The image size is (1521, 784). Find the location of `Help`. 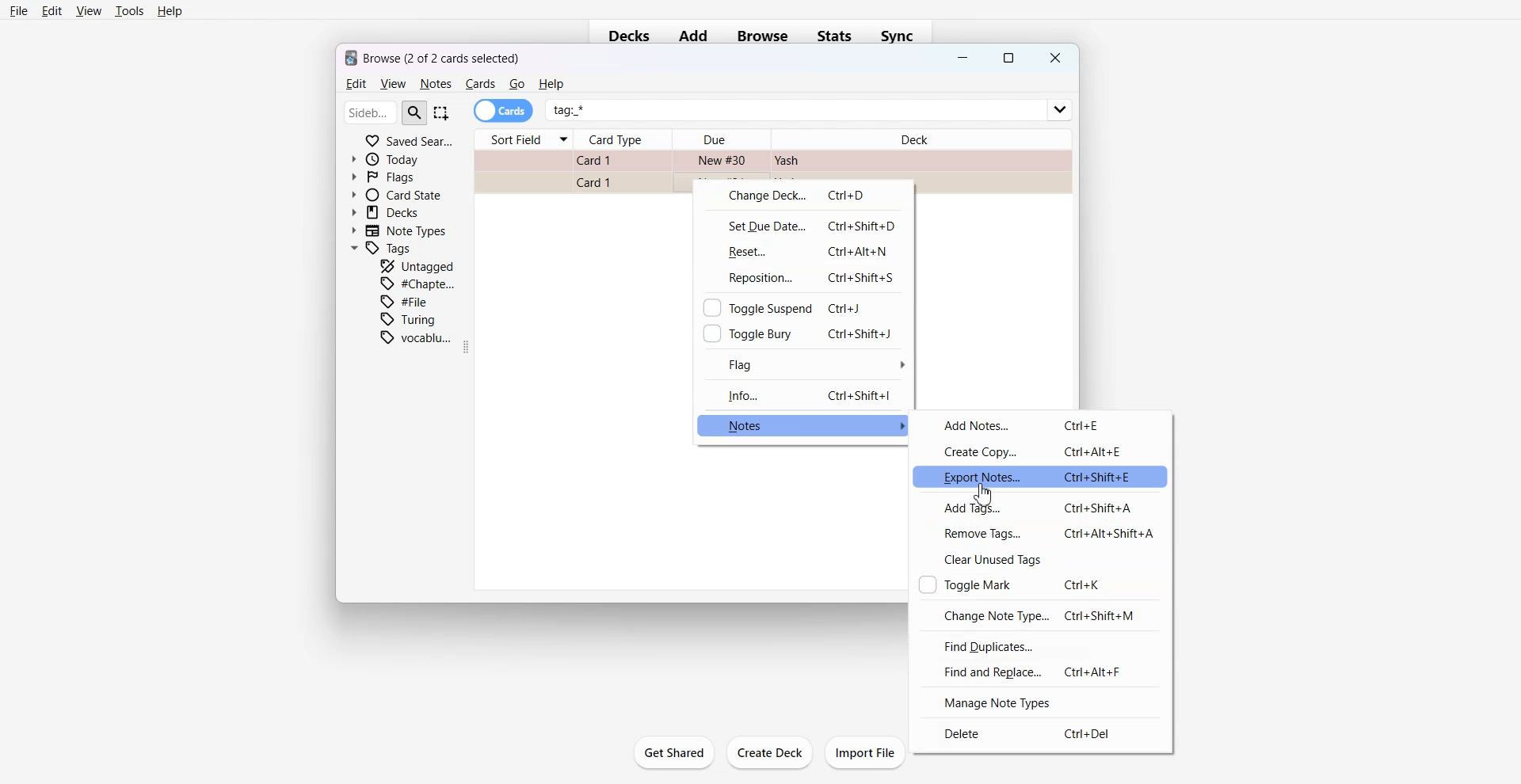

Help is located at coordinates (170, 12).